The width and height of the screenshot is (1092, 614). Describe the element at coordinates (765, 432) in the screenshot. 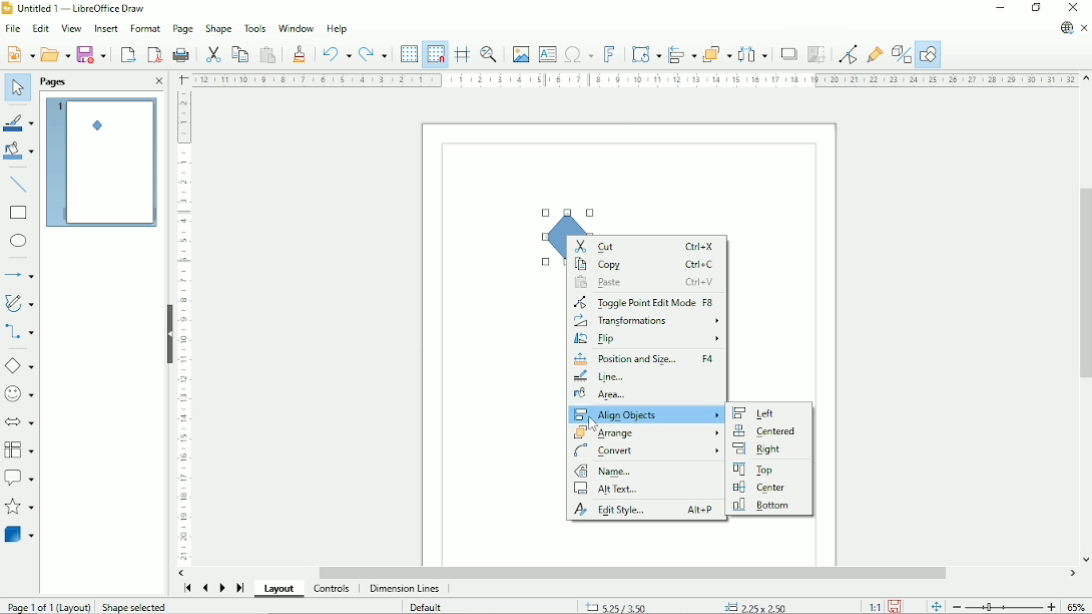

I see `Centered` at that location.